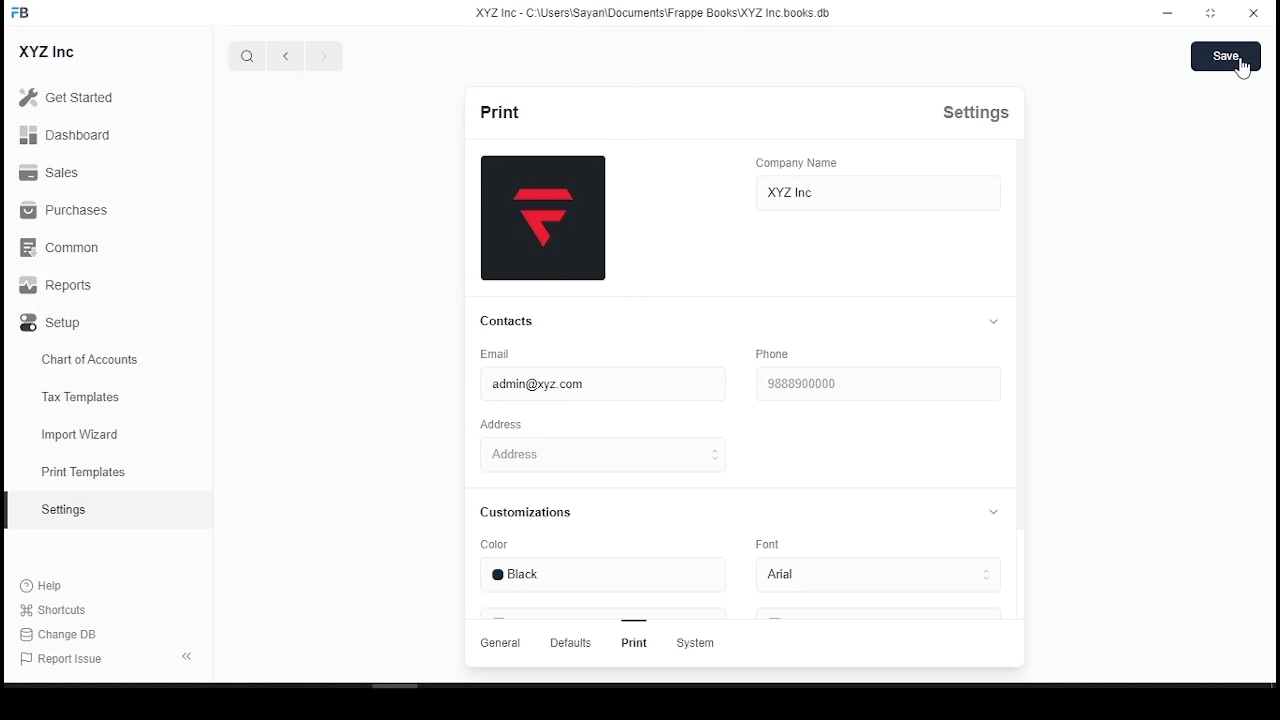 The width and height of the screenshot is (1280, 720). Describe the element at coordinates (773, 354) in the screenshot. I see `phone` at that location.